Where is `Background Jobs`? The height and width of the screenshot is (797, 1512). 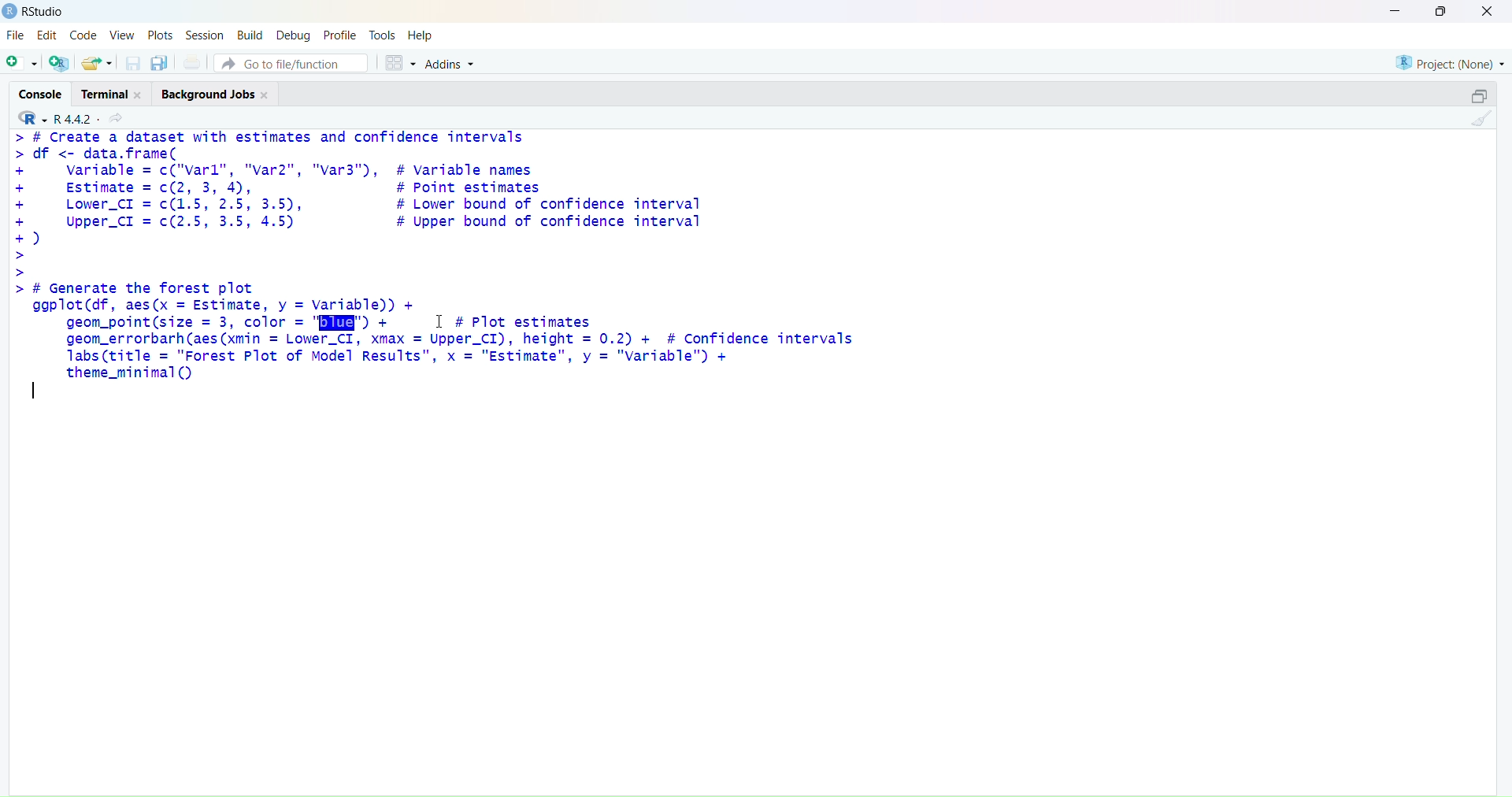 Background Jobs is located at coordinates (216, 93).